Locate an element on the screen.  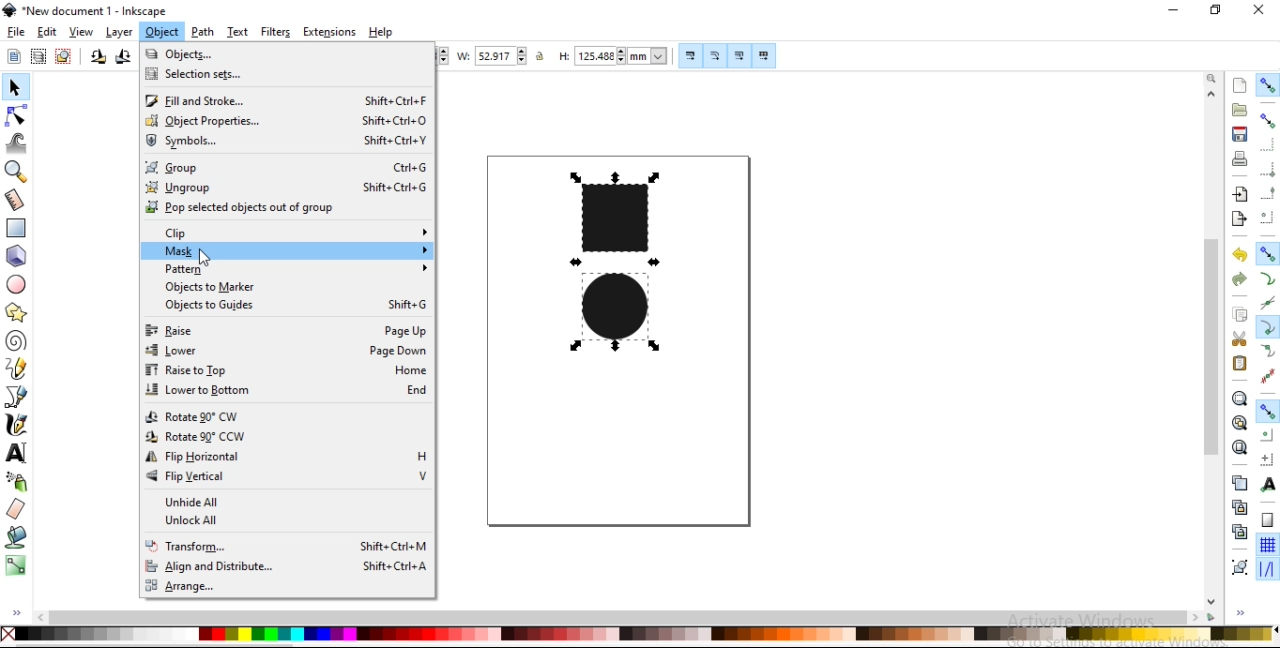
scale stroke width by same proportion  is located at coordinates (690, 56).